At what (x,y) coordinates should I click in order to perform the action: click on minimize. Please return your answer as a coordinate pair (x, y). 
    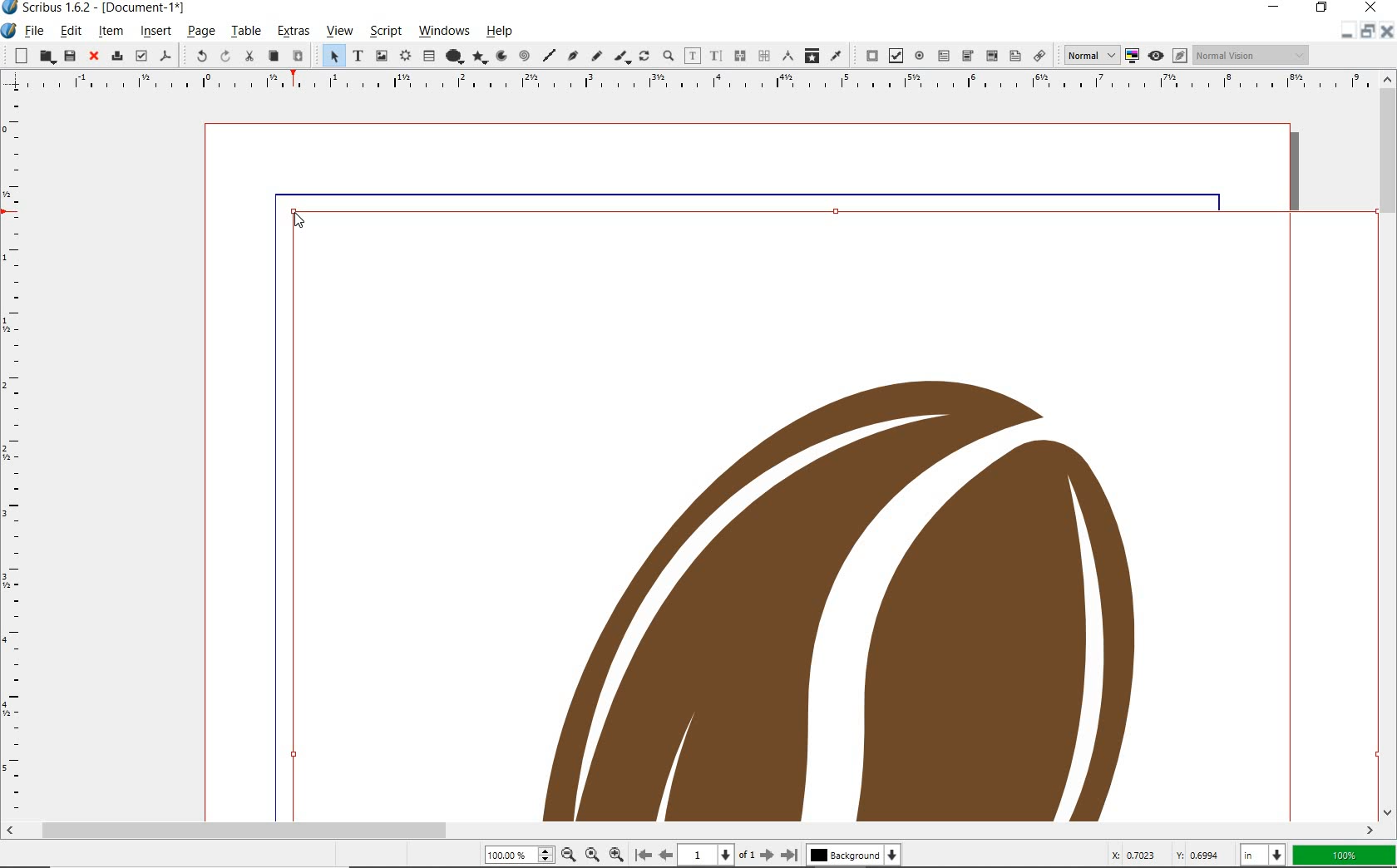
    Looking at the image, I should click on (1278, 7).